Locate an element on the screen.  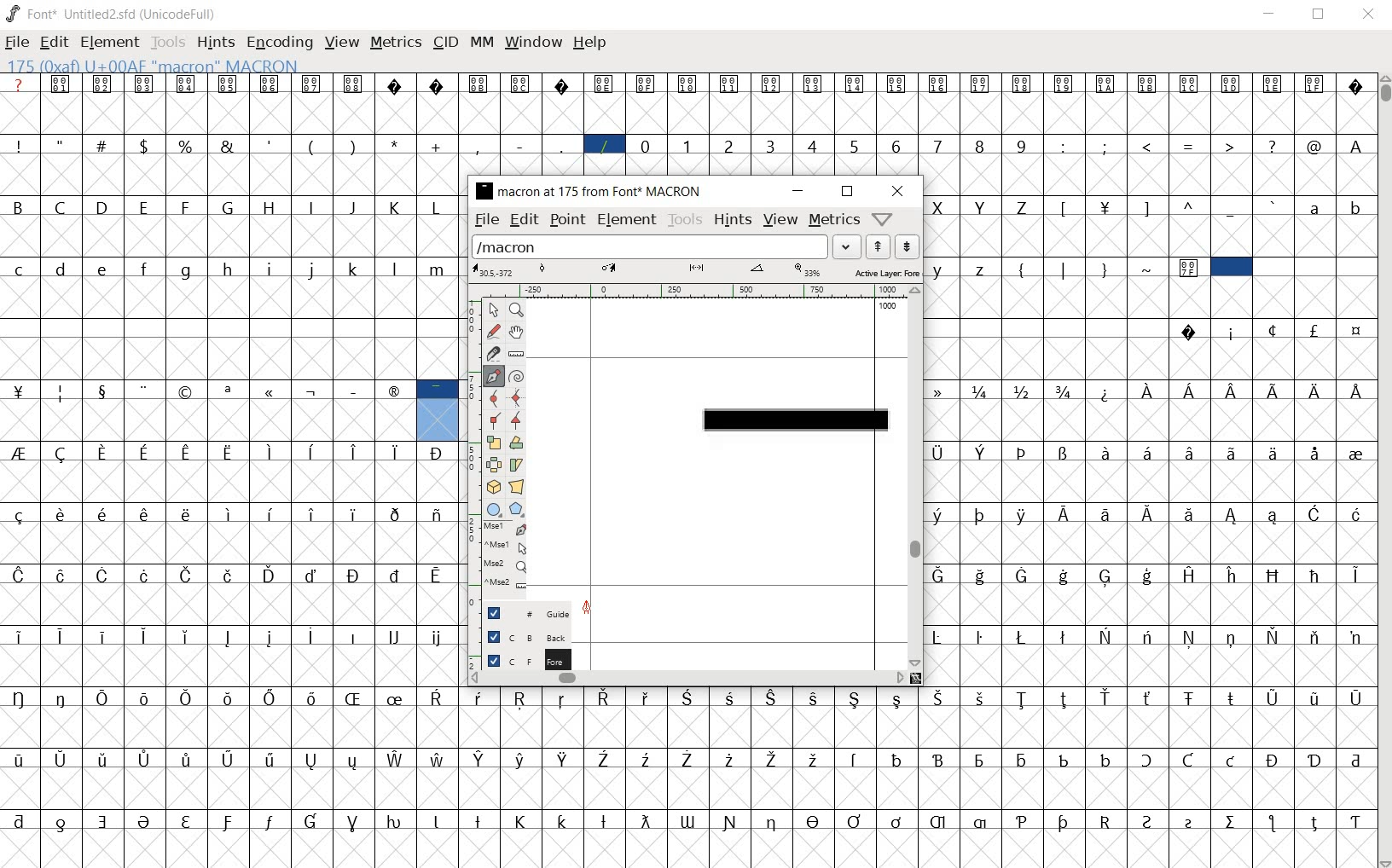
a is located at coordinates (1315, 209).